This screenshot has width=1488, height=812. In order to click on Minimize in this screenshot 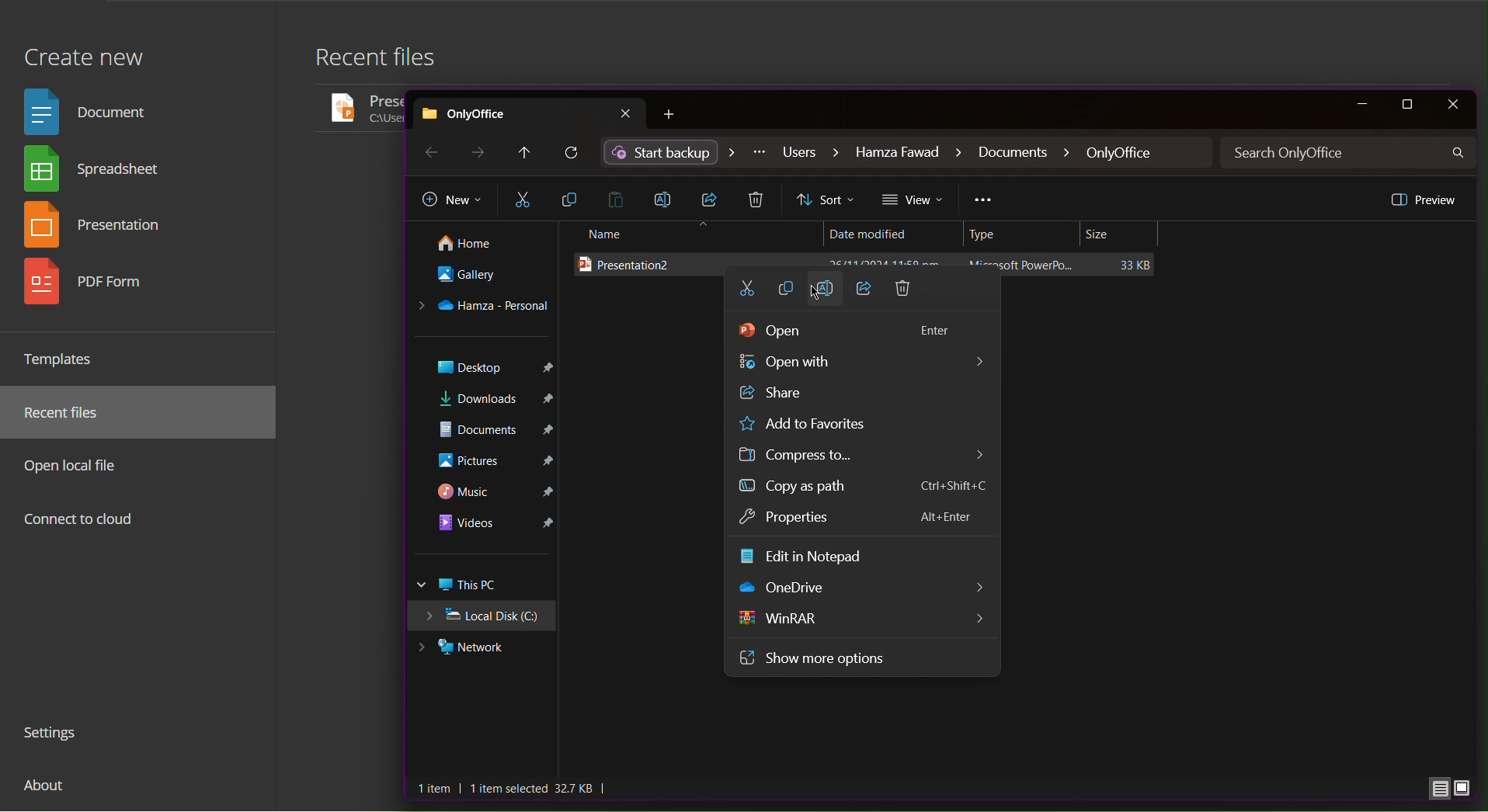, I will do `click(1361, 105)`.